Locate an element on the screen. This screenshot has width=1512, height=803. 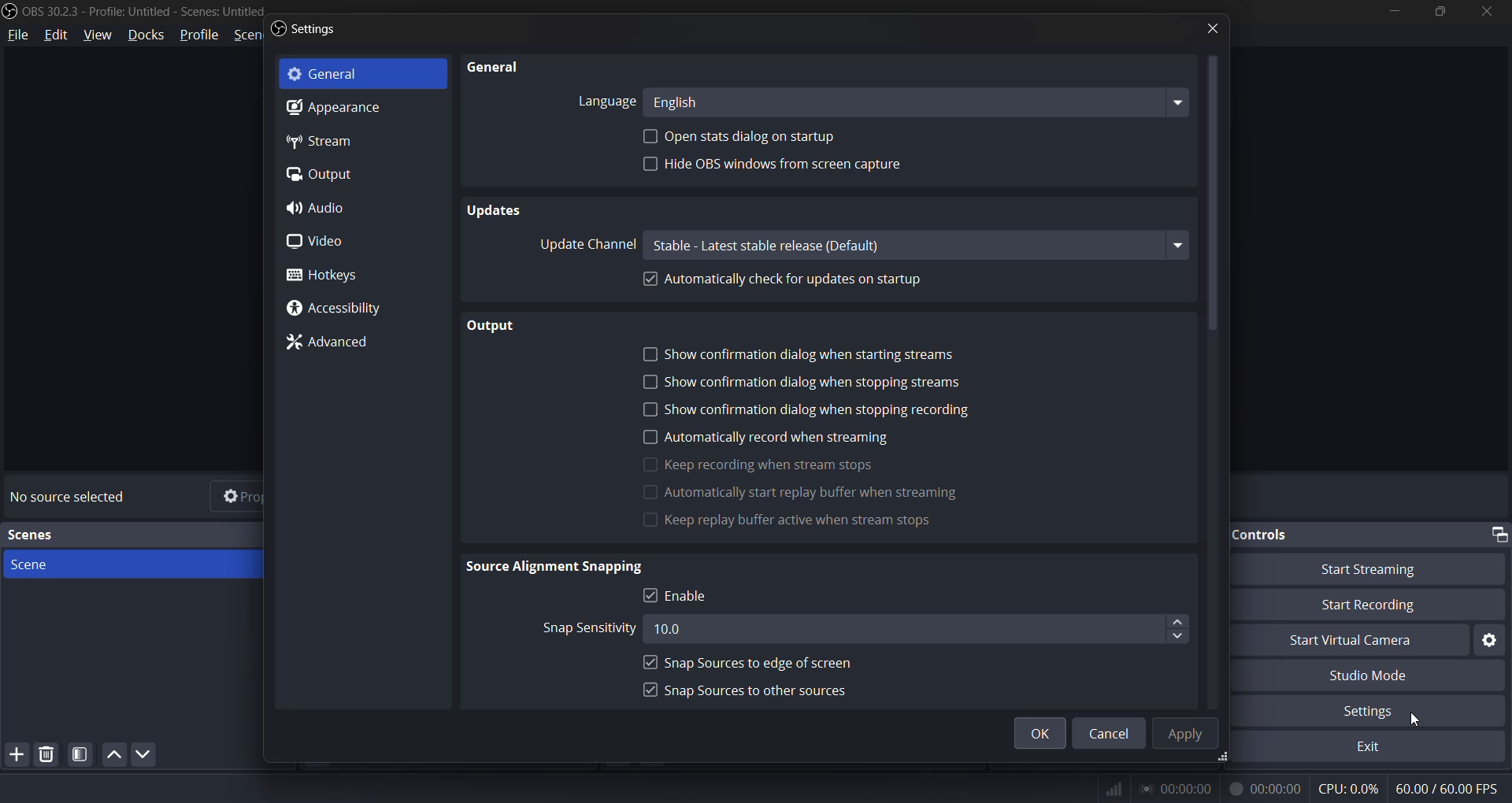
keep replay buffer active when stream stops is located at coordinates (816, 523).